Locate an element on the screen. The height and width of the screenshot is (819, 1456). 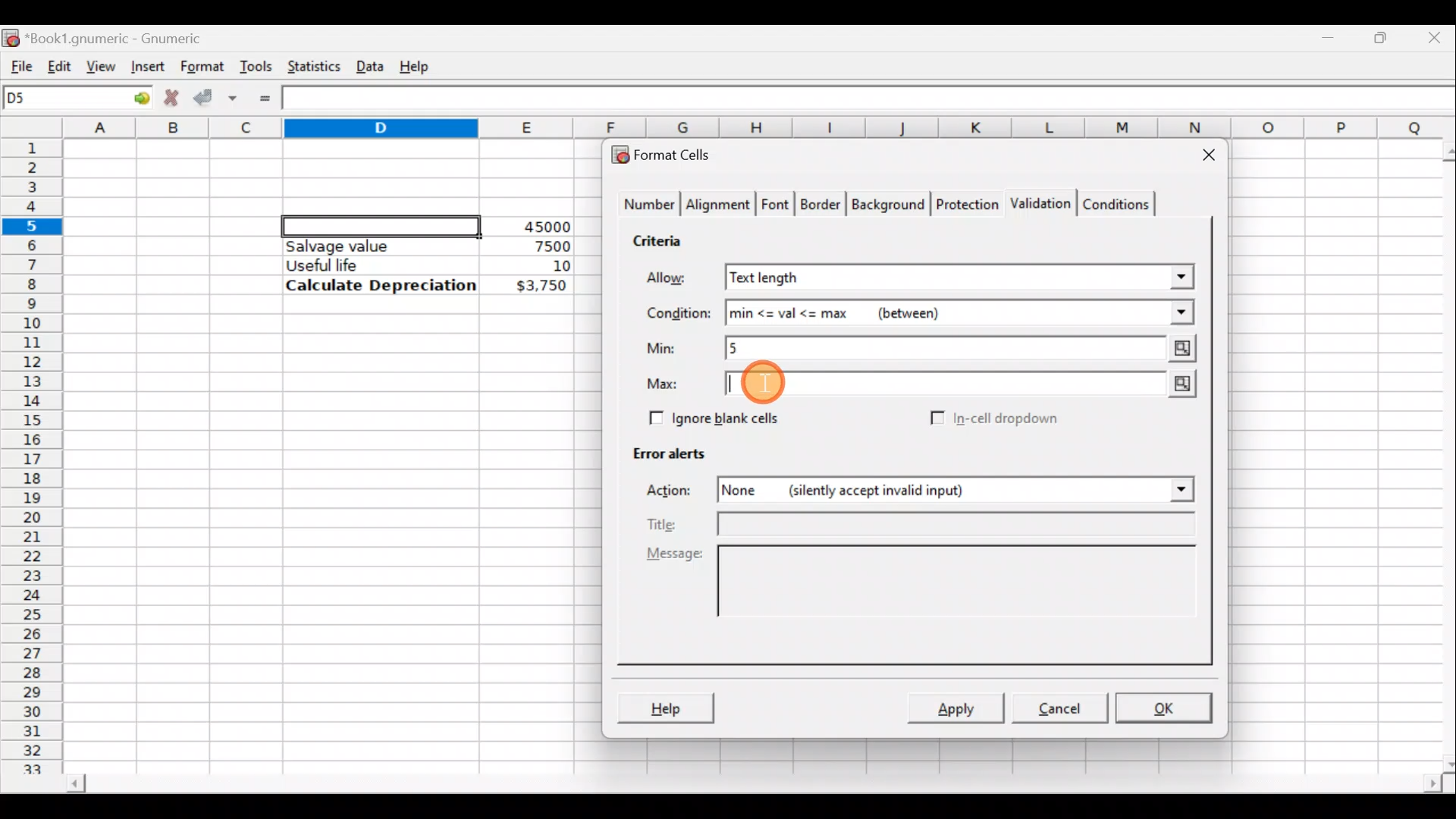
$3,750 is located at coordinates (540, 287).